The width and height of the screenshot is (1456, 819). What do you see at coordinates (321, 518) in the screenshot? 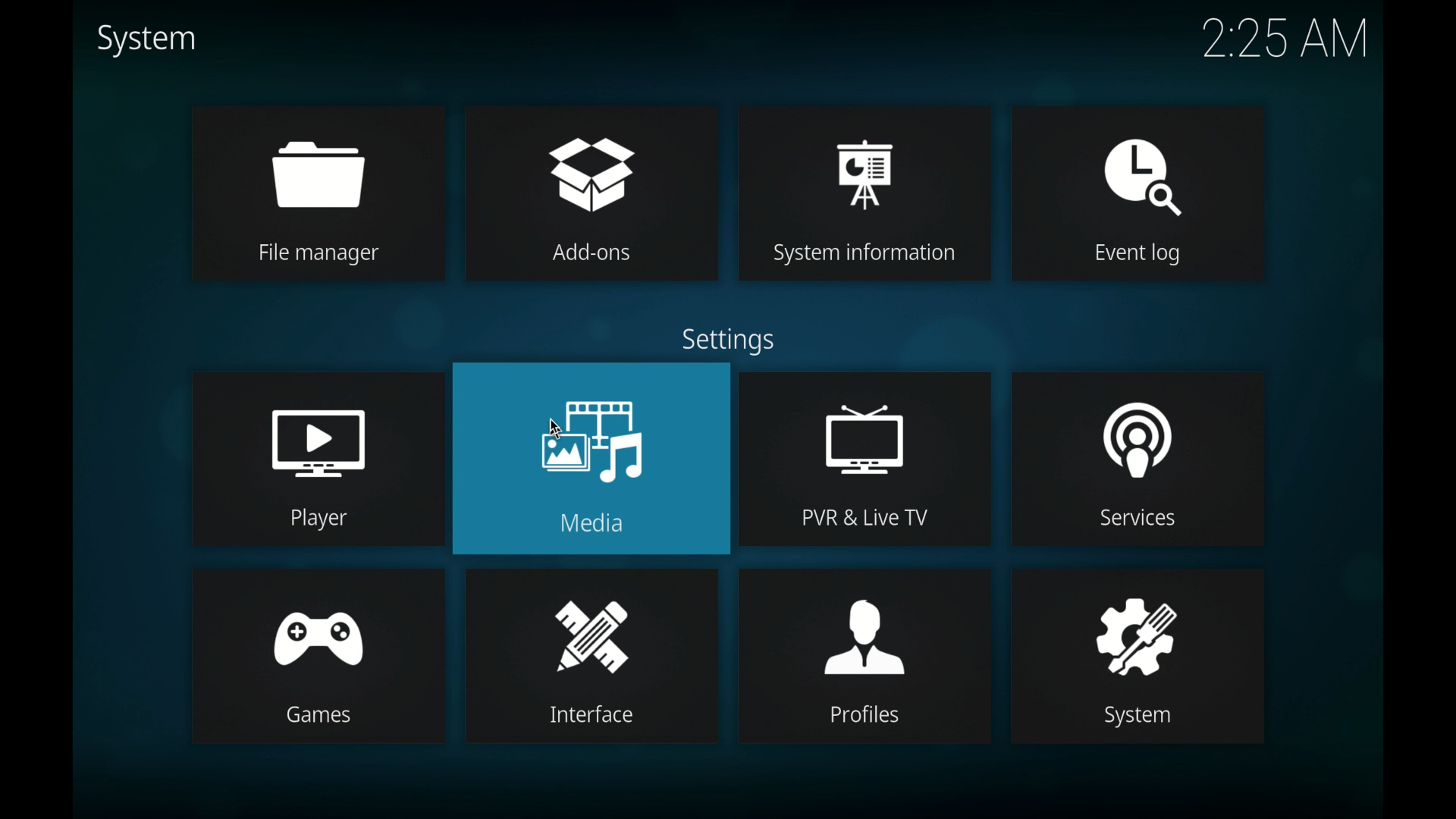
I see `Player` at bounding box center [321, 518].